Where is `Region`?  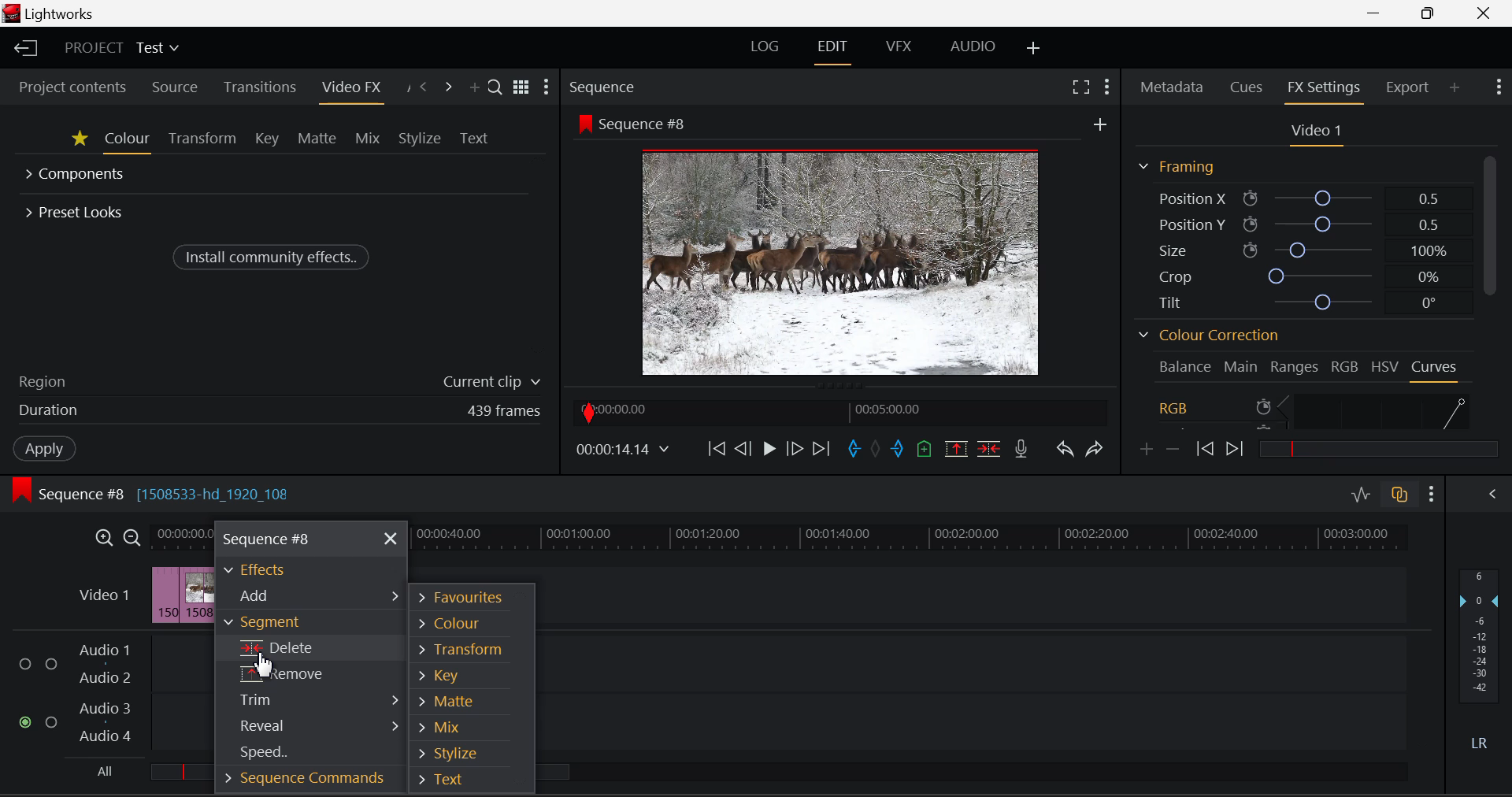
Region is located at coordinates (278, 380).